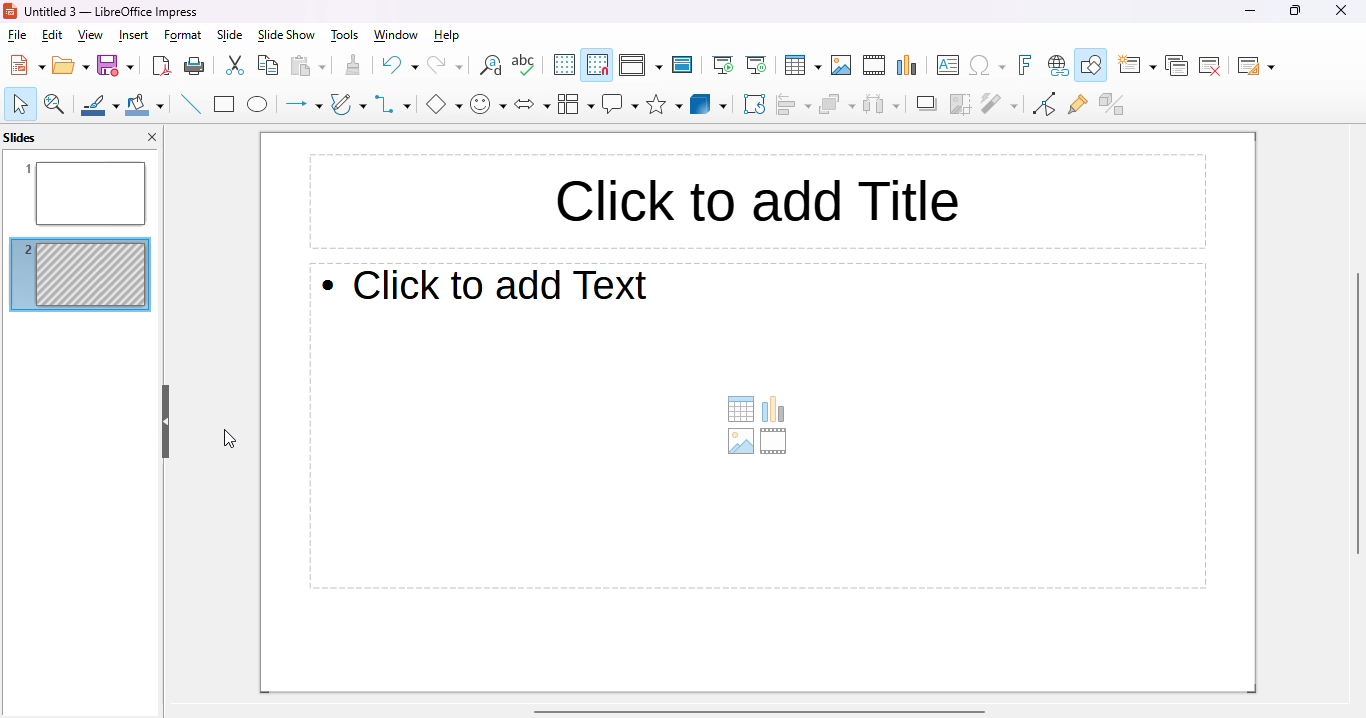 This screenshot has height=718, width=1366. What do you see at coordinates (774, 408) in the screenshot?
I see `insert chart` at bounding box center [774, 408].